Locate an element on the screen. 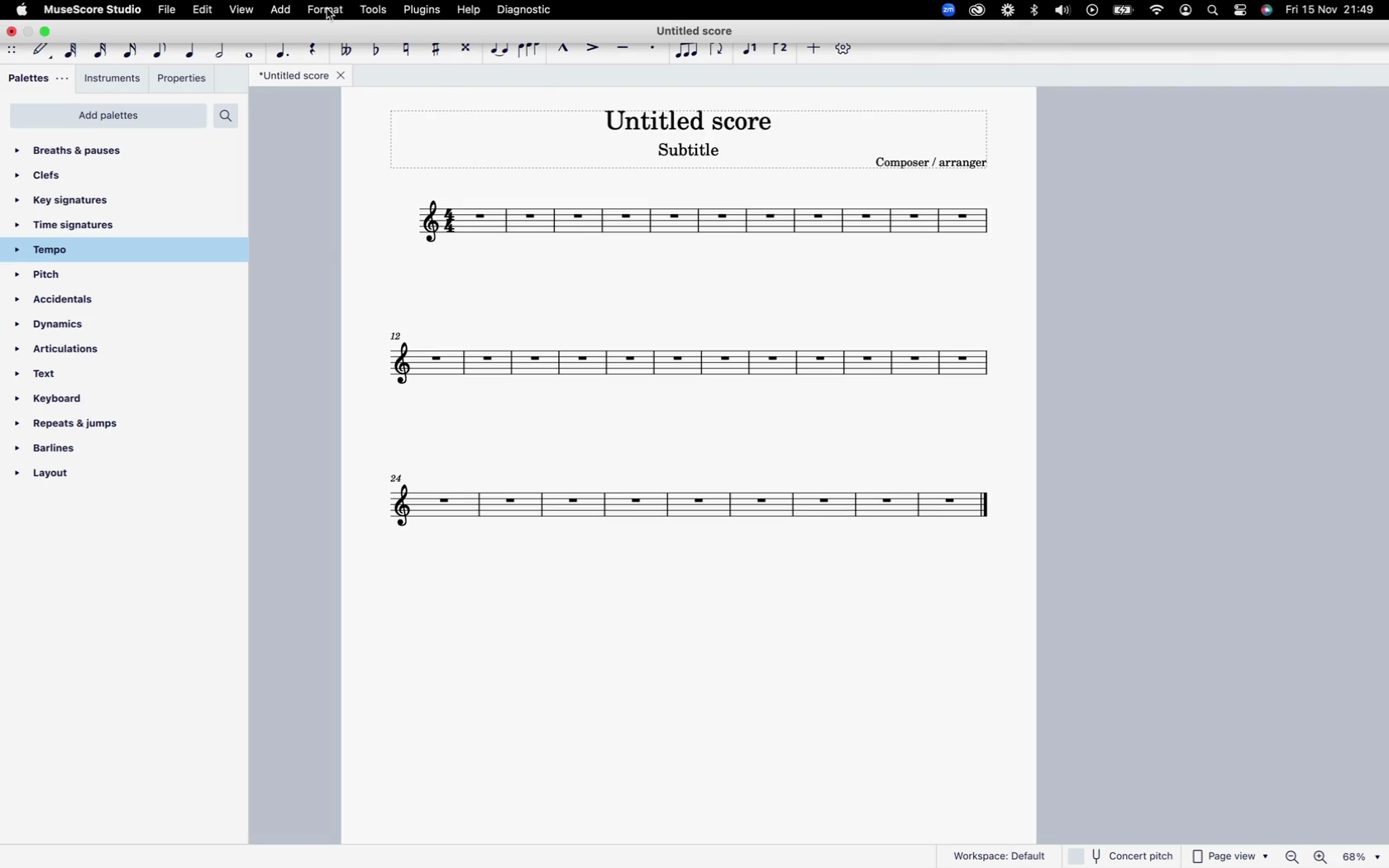 The width and height of the screenshot is (1389, 868). breaths & pauses is located at coordinates (83, 147).